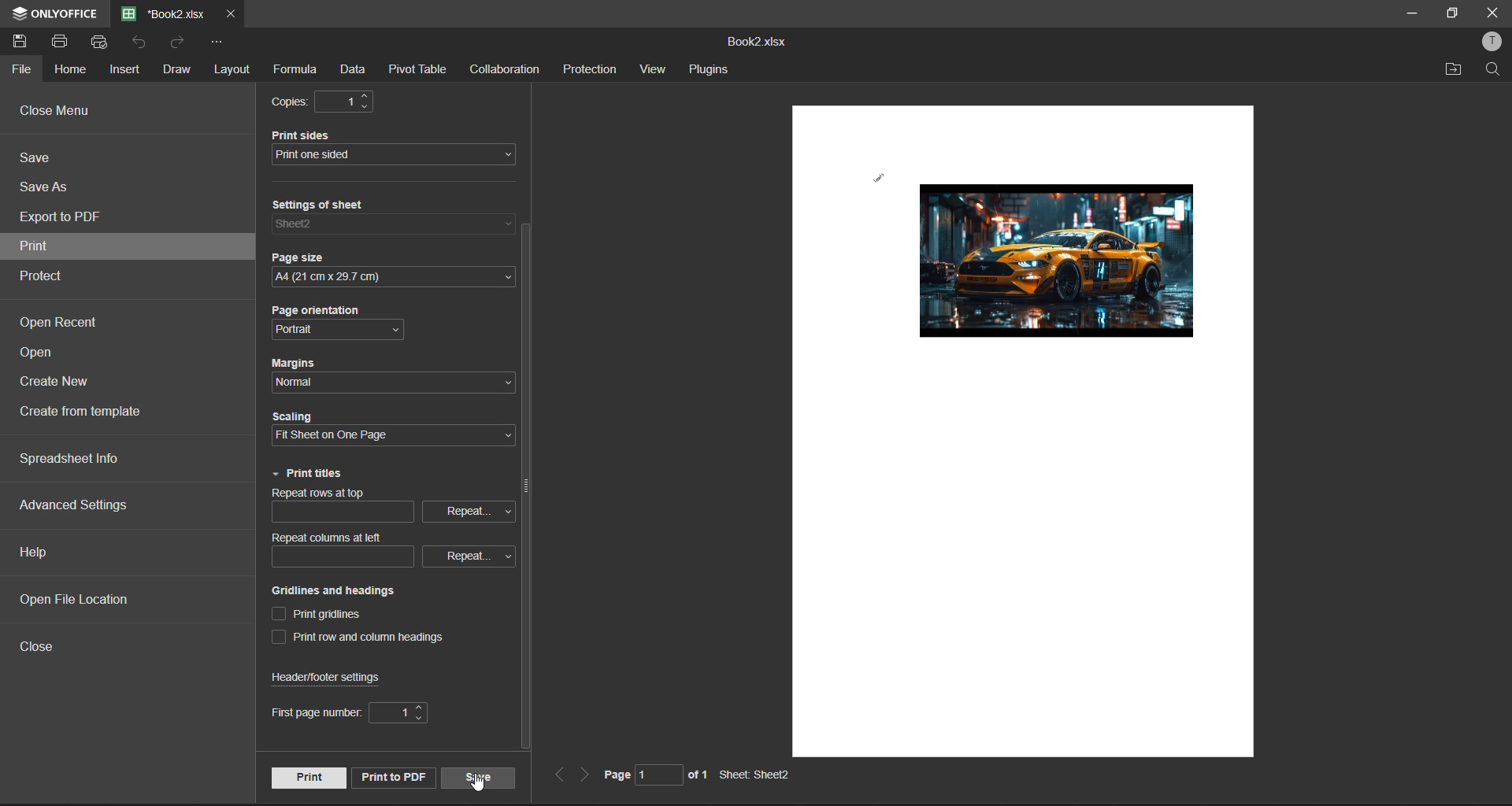 The height and width of the screenshot is (806, 1512). I want to click on create from template, so click(93, 414).